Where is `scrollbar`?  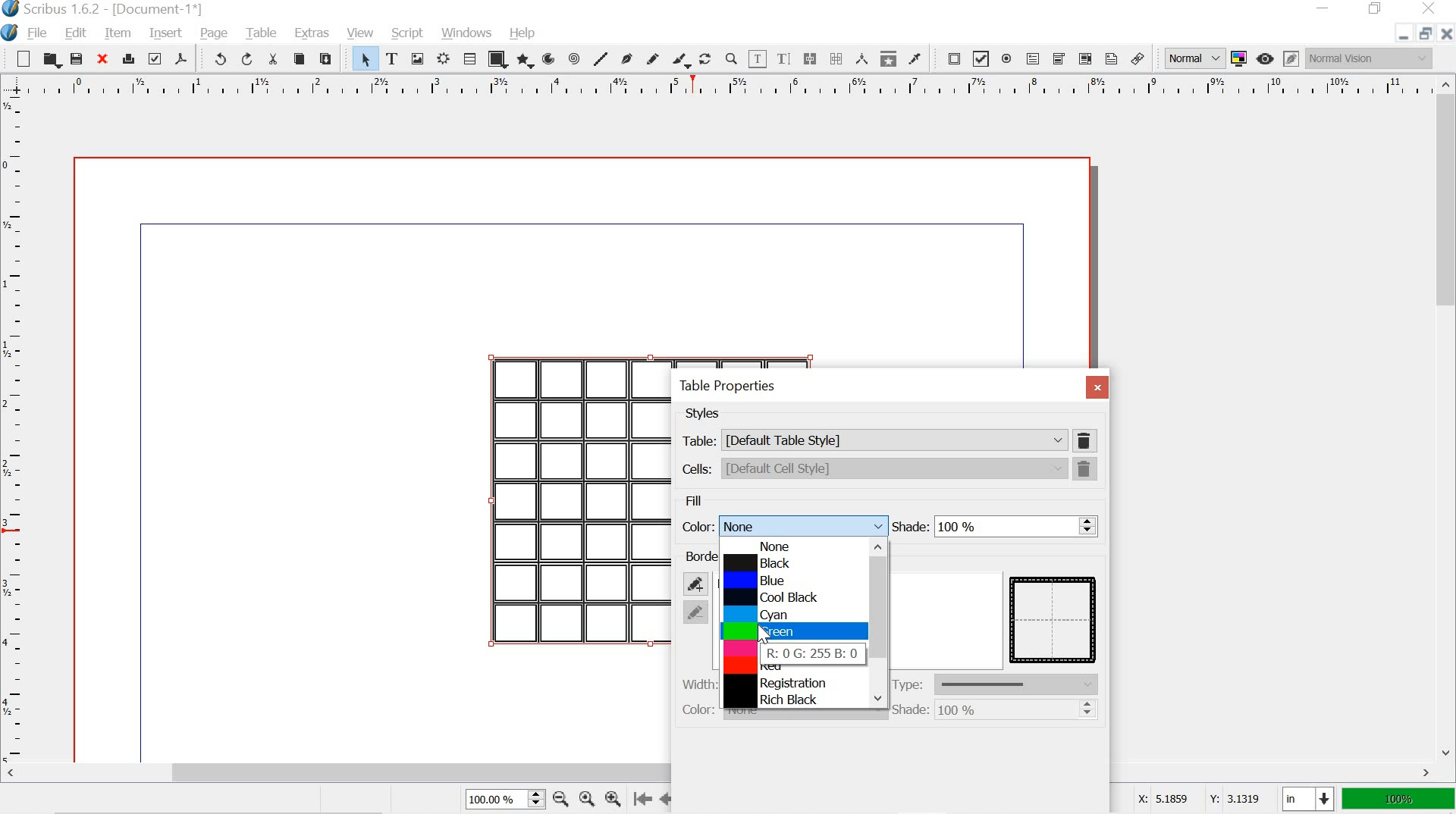
scrollbar is located at coordinates (1447, 416).